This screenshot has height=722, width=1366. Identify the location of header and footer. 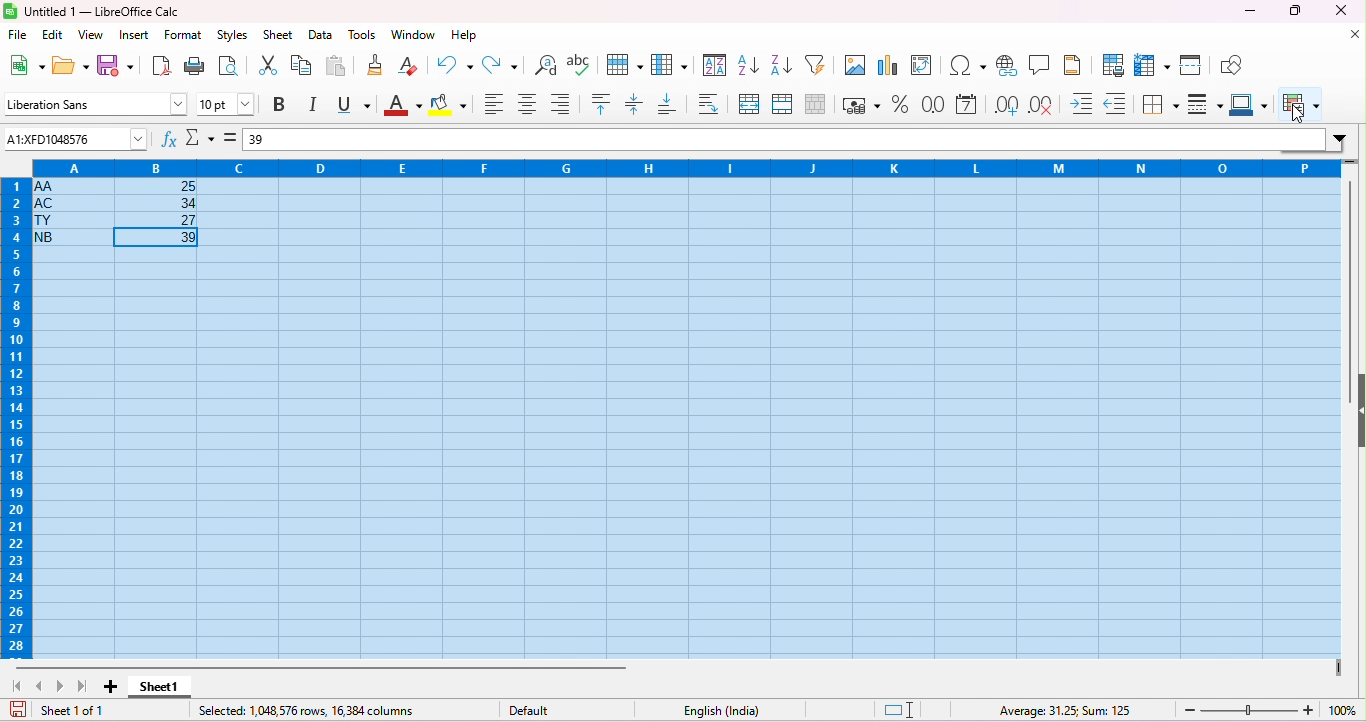
(1074, 64).